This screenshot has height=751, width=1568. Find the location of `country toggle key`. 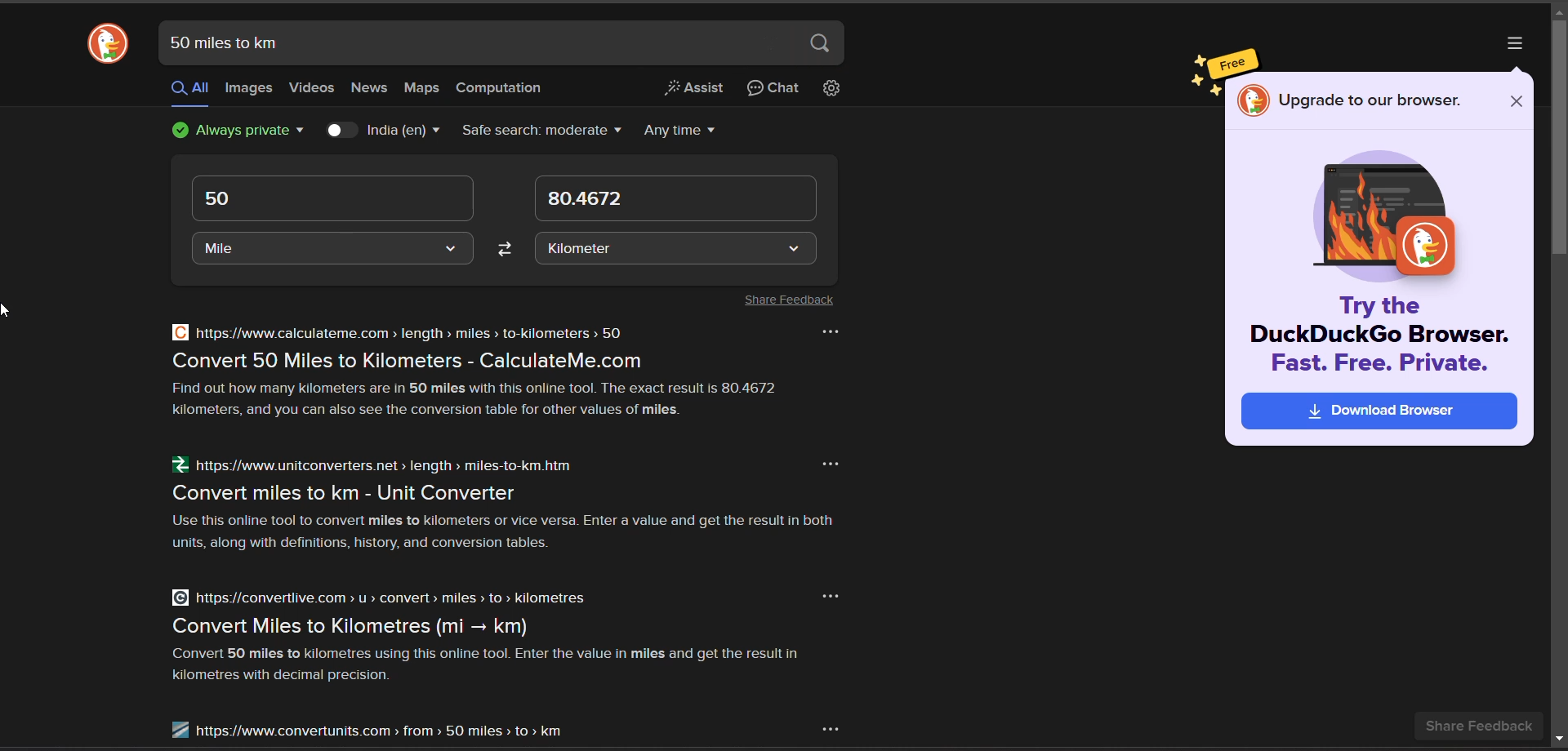

country toggle key is located at coordinates (337, 129).